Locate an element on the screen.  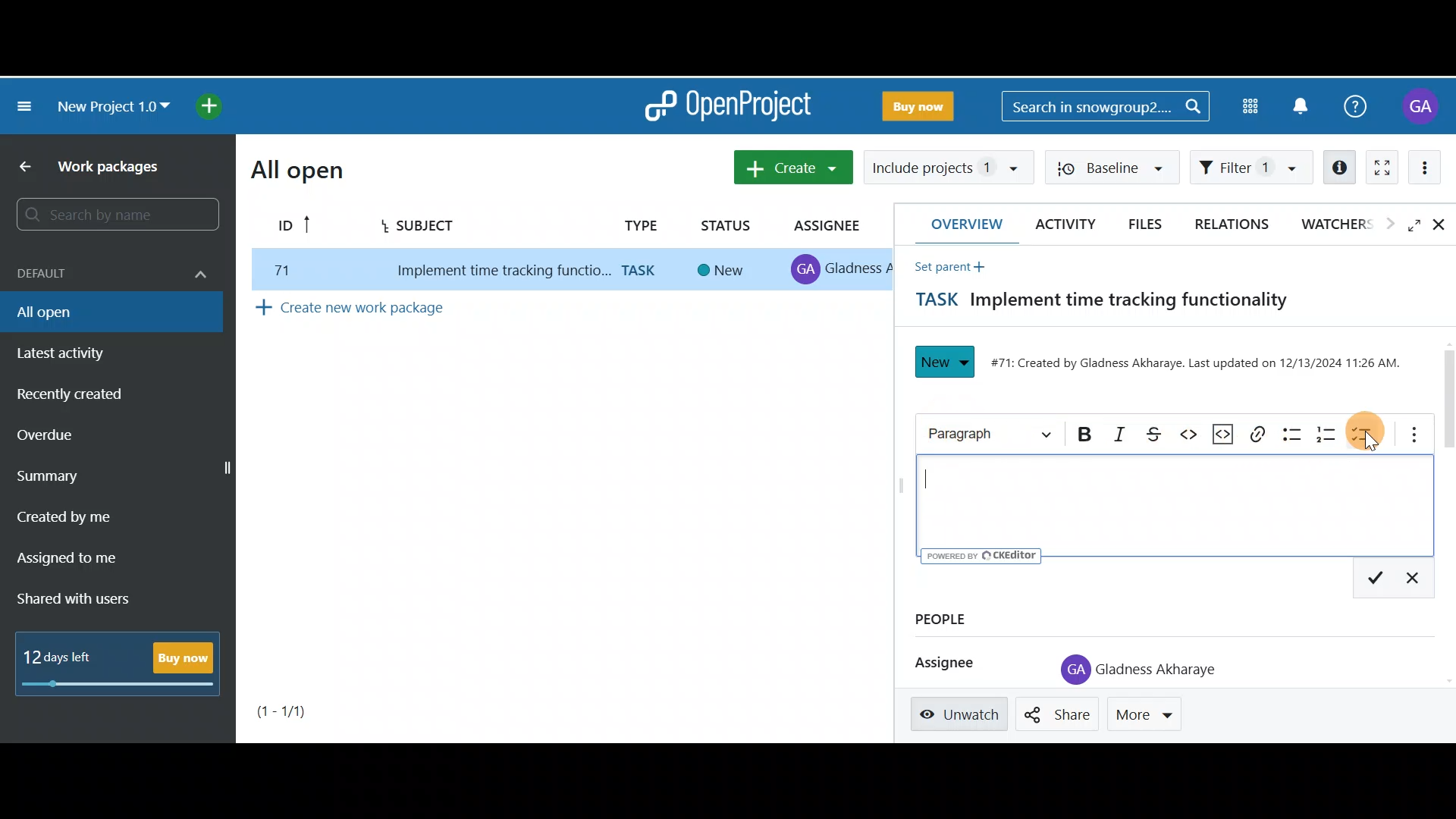
Watchers is located at coordinates (1335, 227).